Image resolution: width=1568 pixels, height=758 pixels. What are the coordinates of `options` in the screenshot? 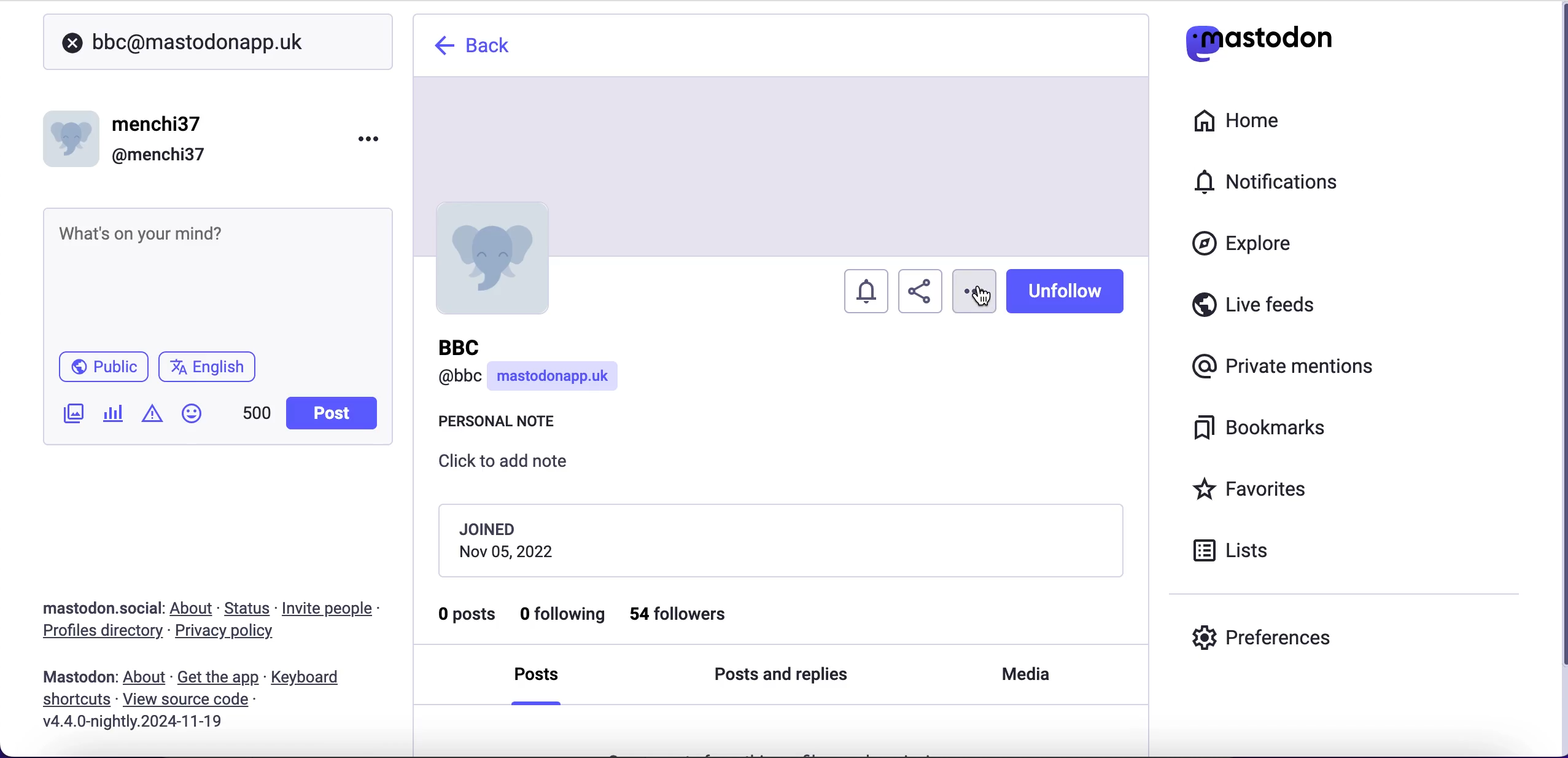 It's located at (972, 275).